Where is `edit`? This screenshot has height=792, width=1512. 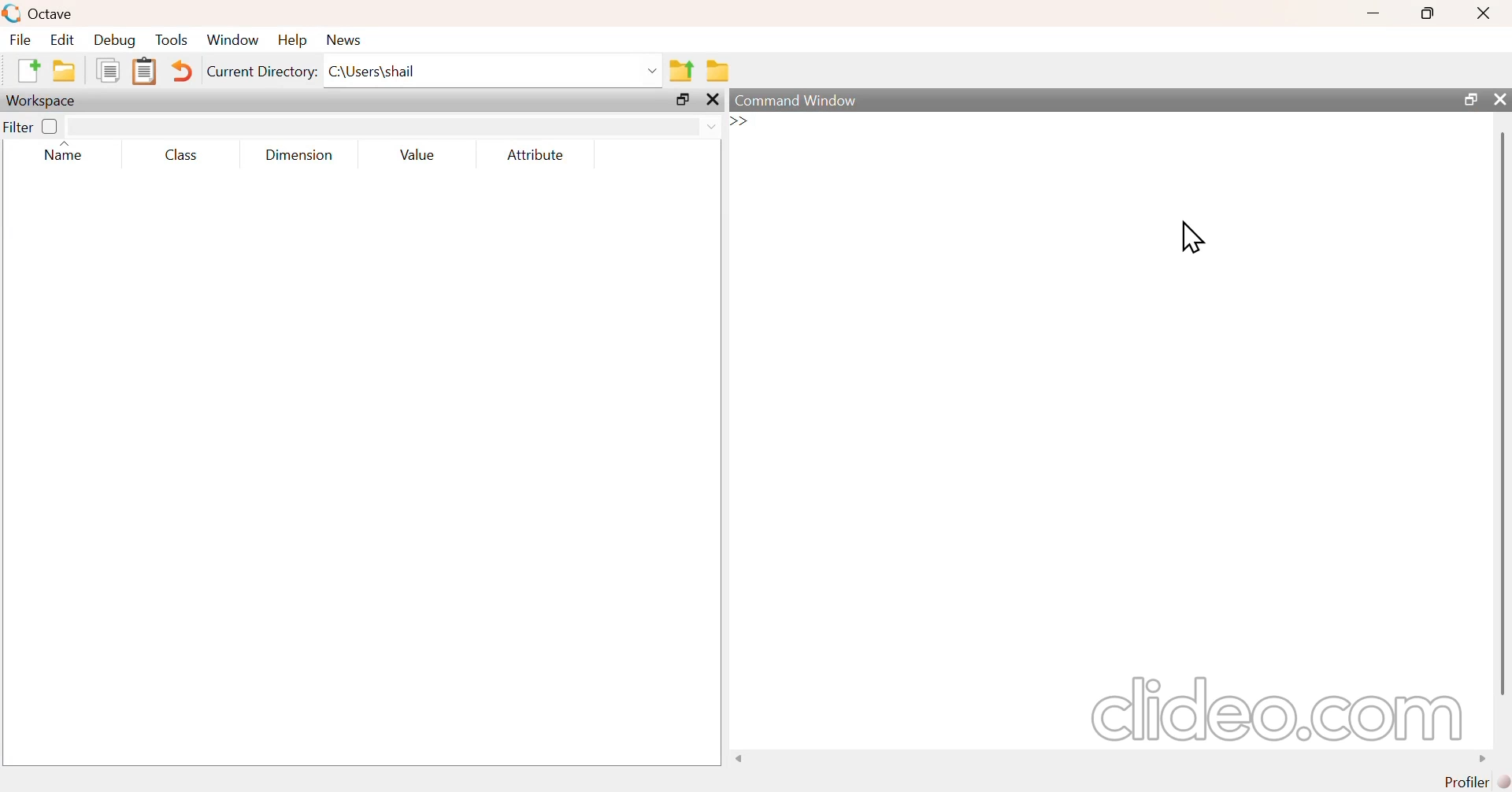
edit is located at coordinates (66, 39).